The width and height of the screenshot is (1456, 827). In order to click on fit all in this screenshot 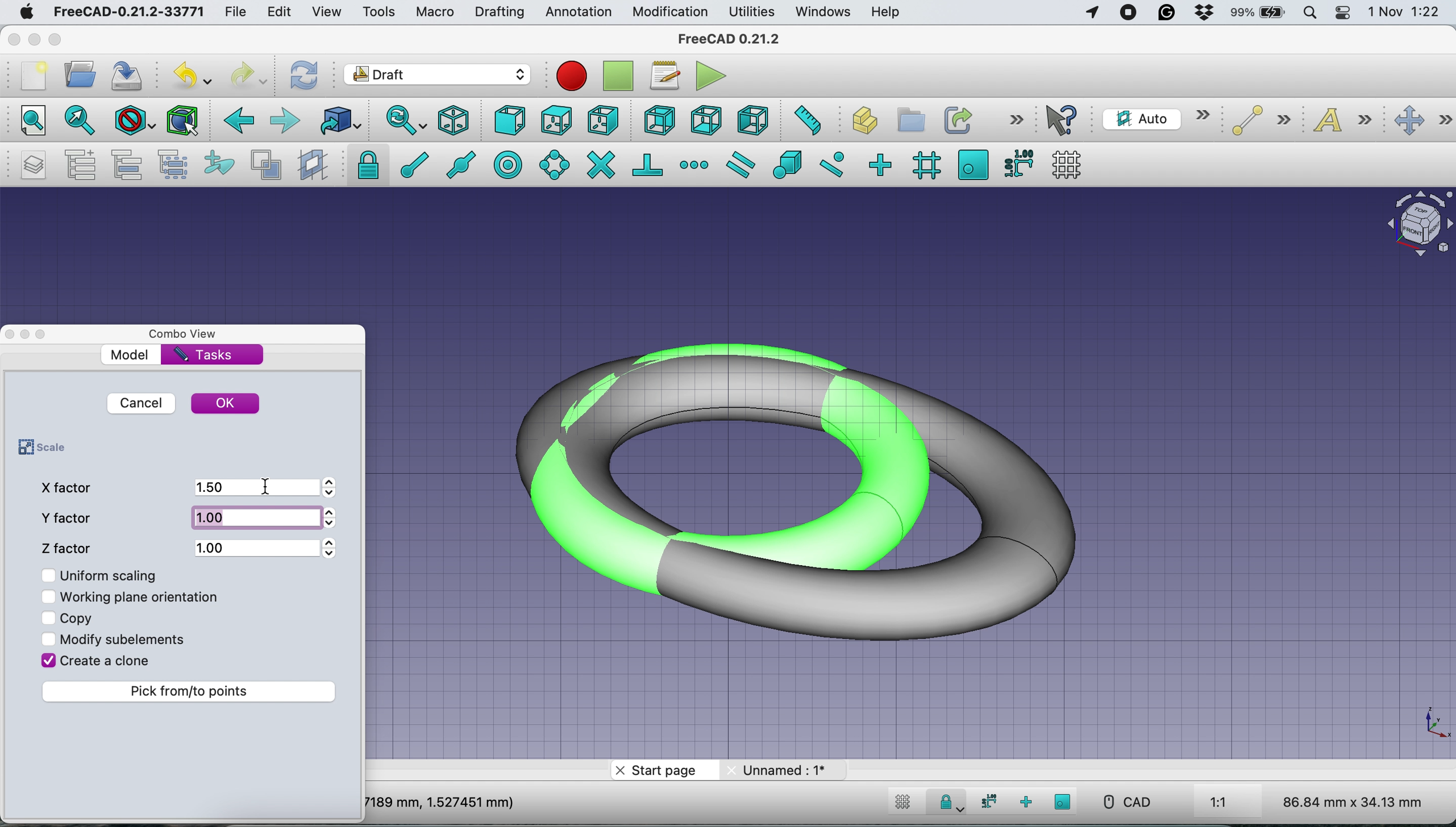, I will do `click(30, 122)`.